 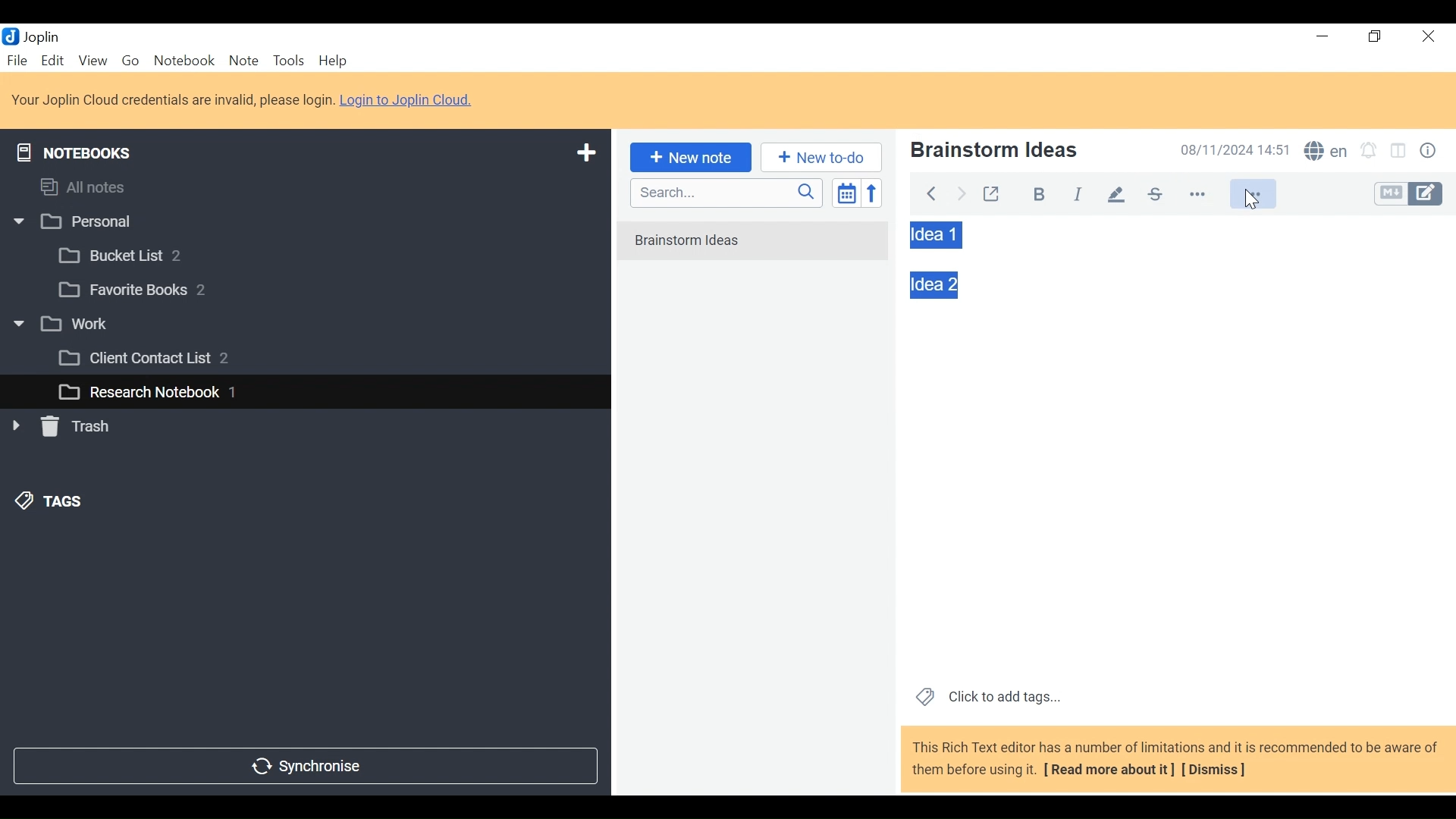 I want to click on v [3 work, so click(x=78, y=325).